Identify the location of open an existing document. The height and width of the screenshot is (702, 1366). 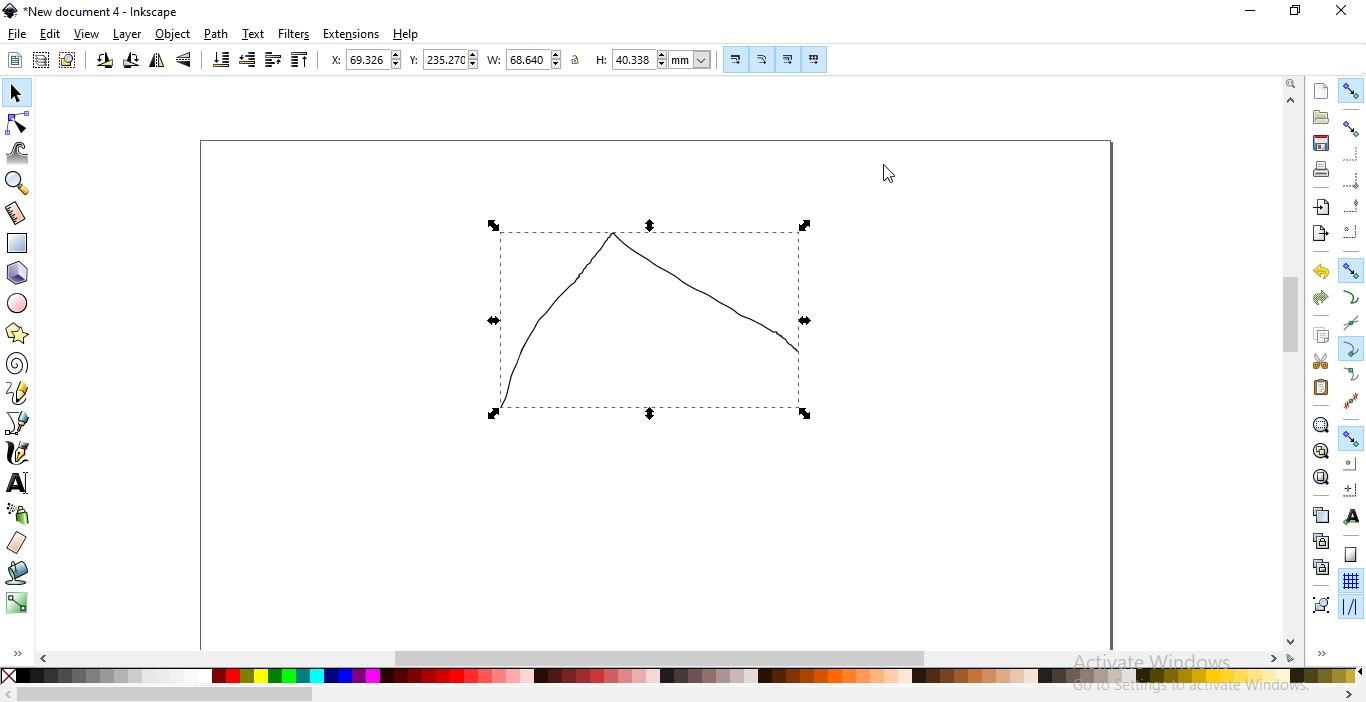
(1321, 117).